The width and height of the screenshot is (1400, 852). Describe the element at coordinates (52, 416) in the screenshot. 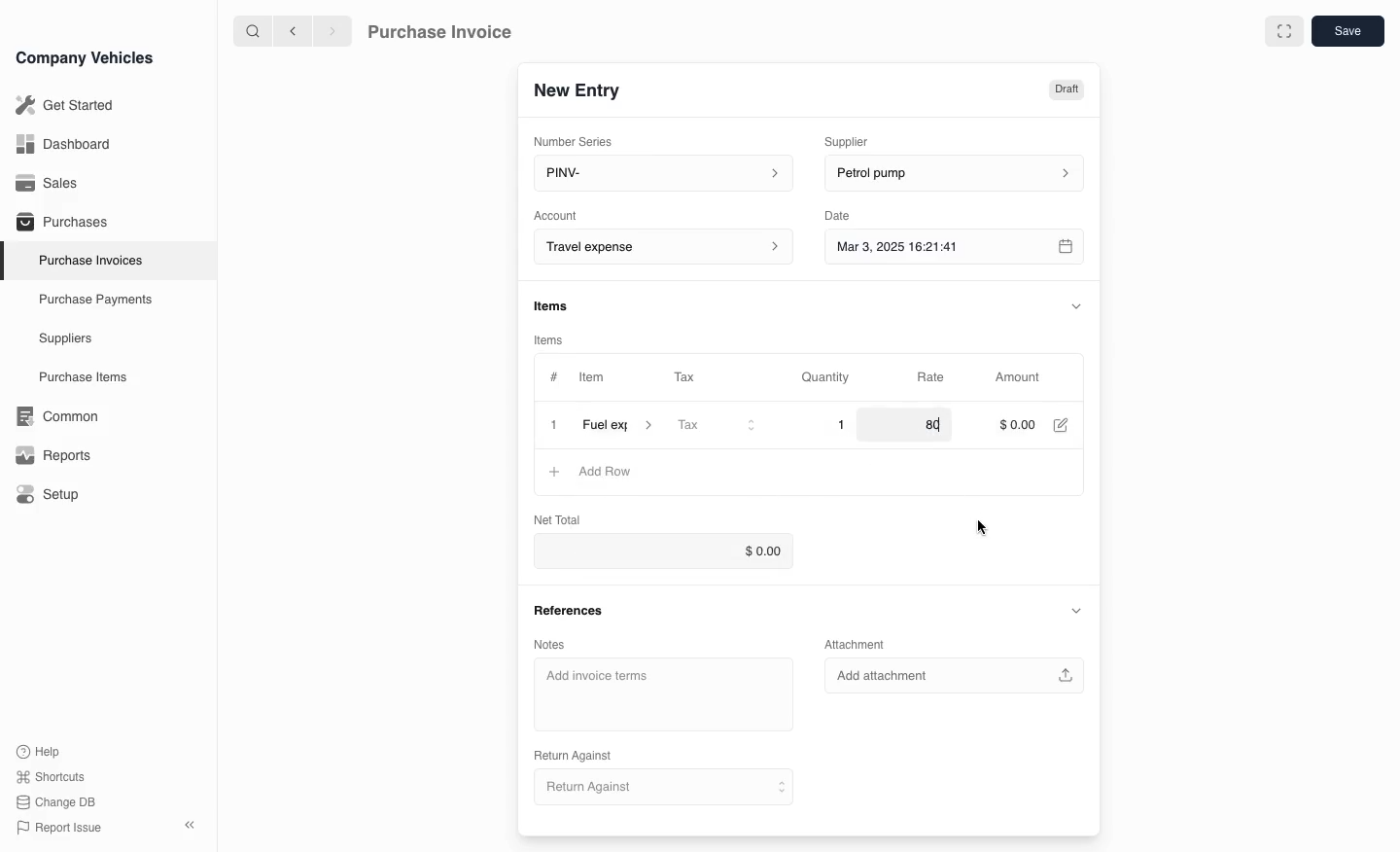

I see `Common` at that location.